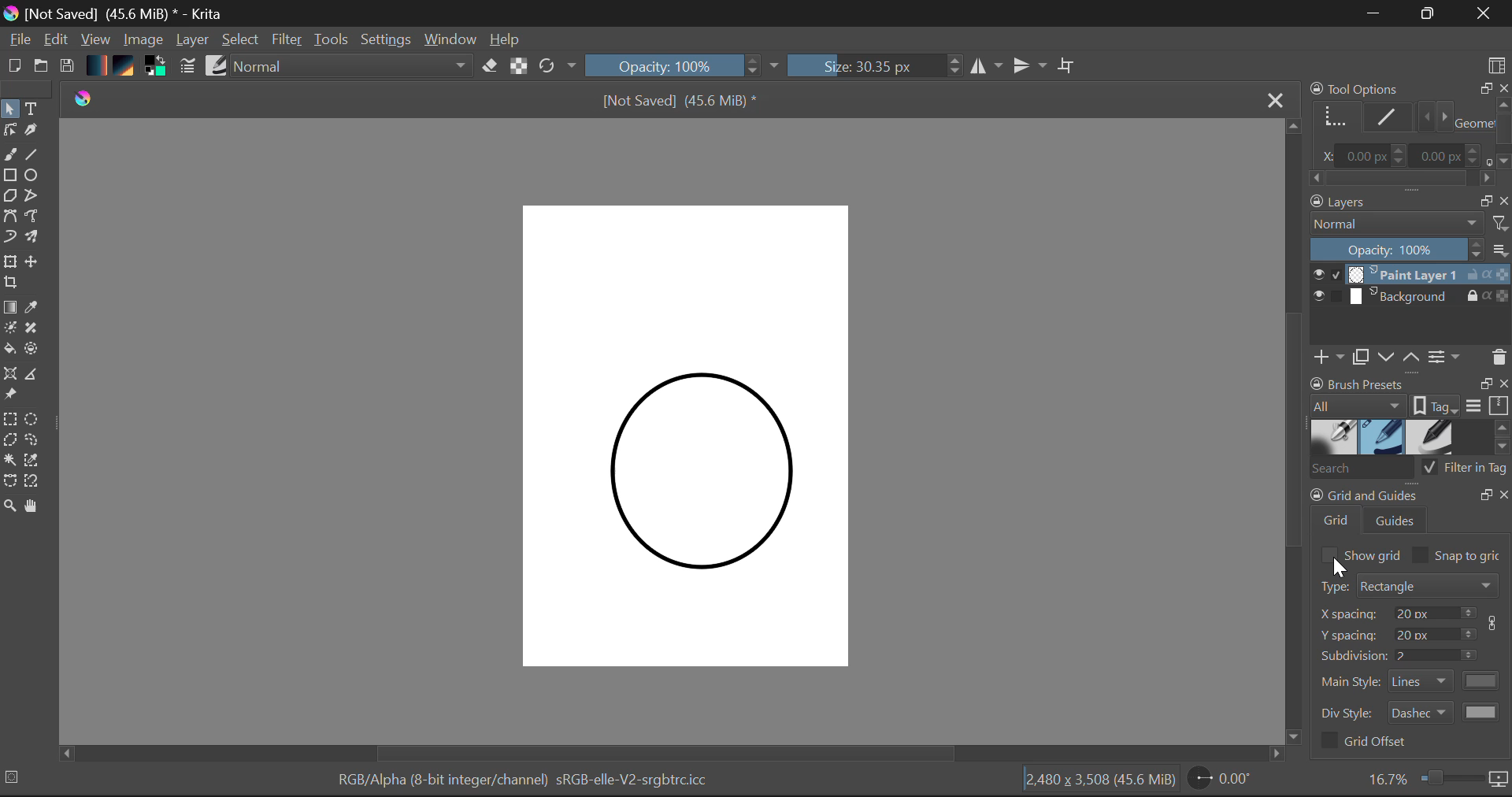  What do you see at coordinates (187, 67) in the screenshot?
I see `Brush Settings` at bounding box center [187, 67].